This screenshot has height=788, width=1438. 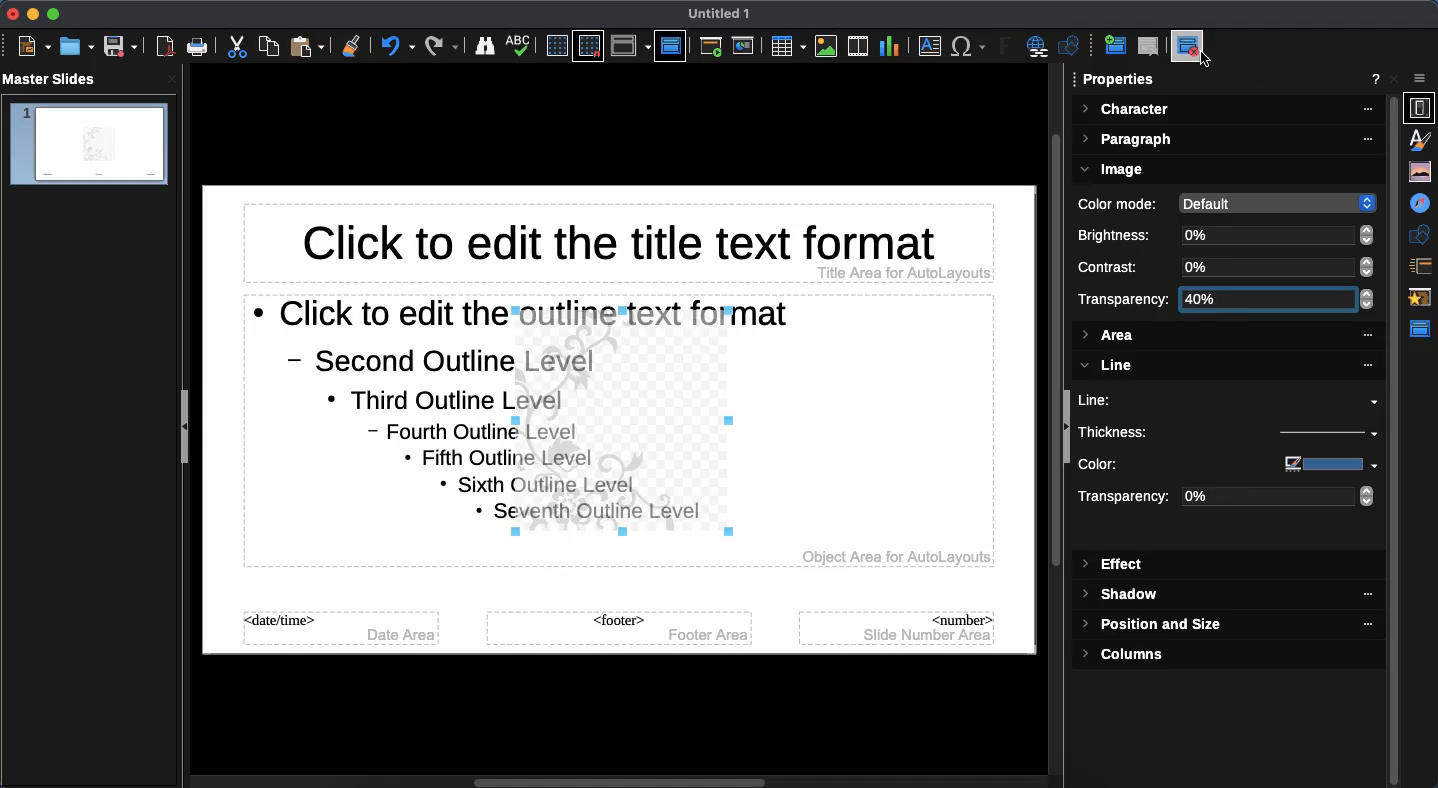 I want to click on Line, so click(x=1225, y=366).